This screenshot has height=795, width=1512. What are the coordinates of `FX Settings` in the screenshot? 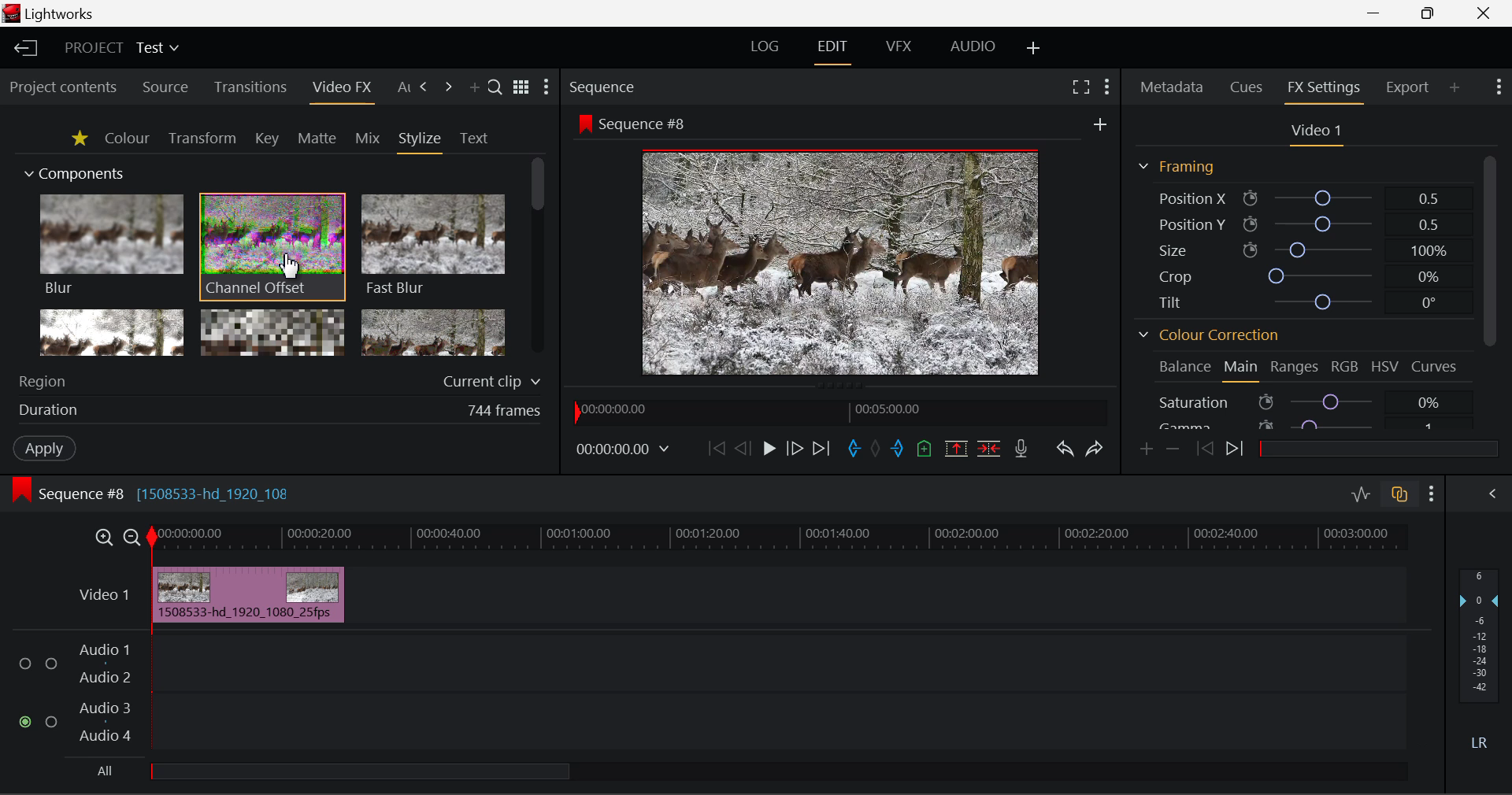 It's located at (1325, 89).